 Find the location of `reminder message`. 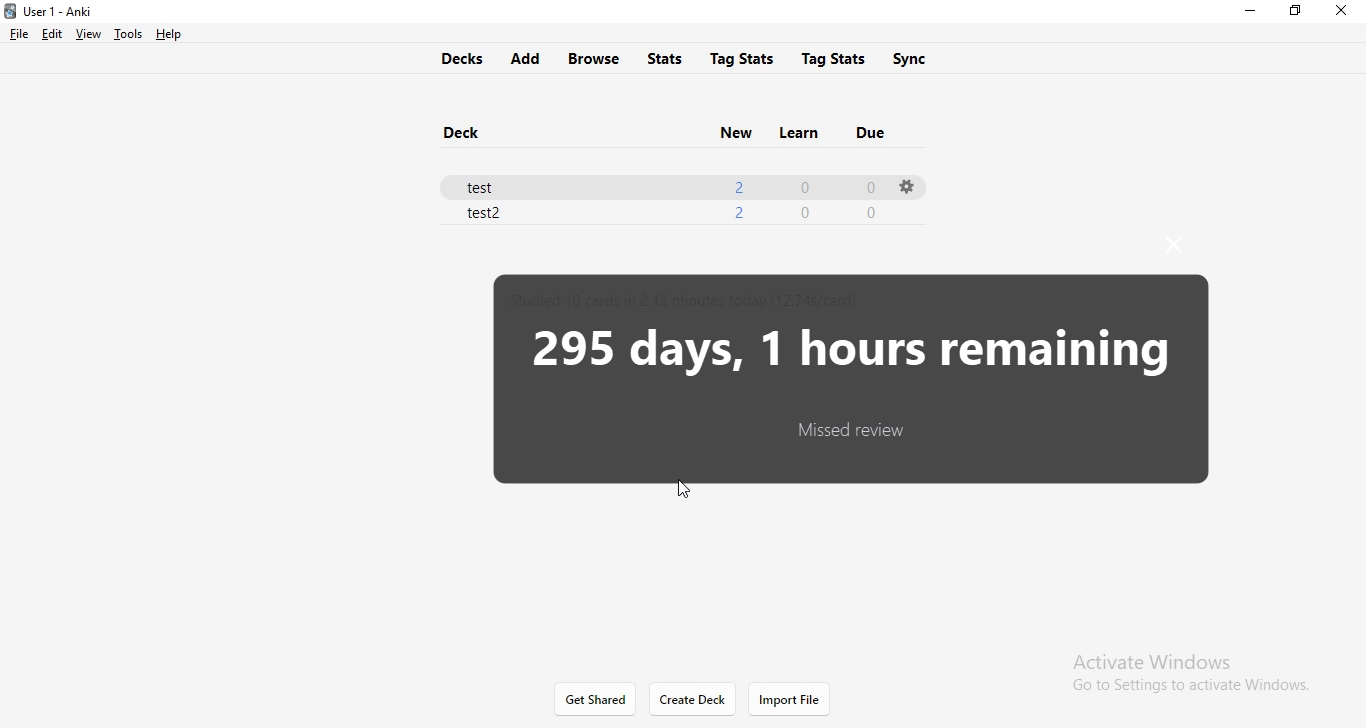

reminder message is located at coordinates (850, 375).